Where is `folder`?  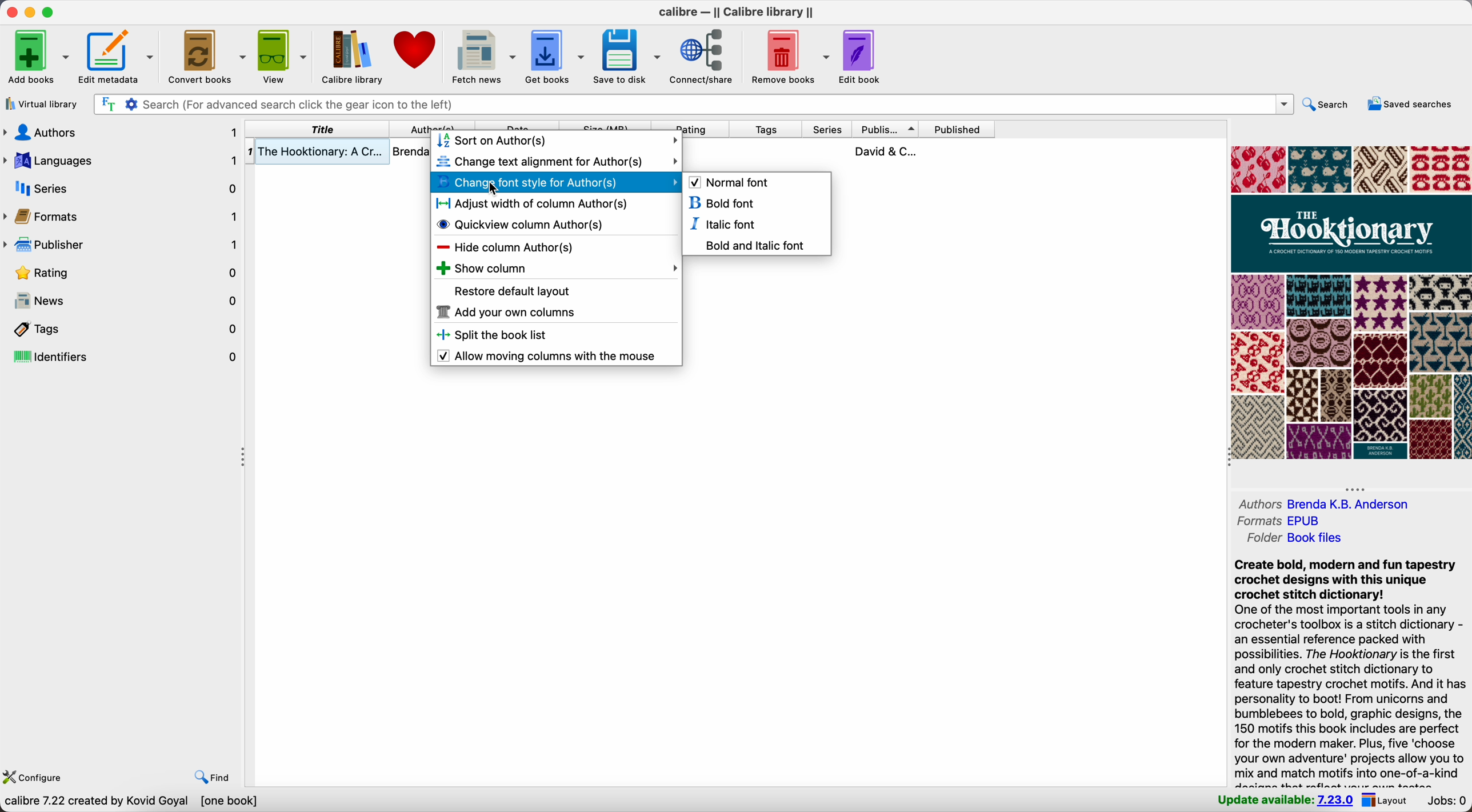 folder is located at coordinates (1294, 538).